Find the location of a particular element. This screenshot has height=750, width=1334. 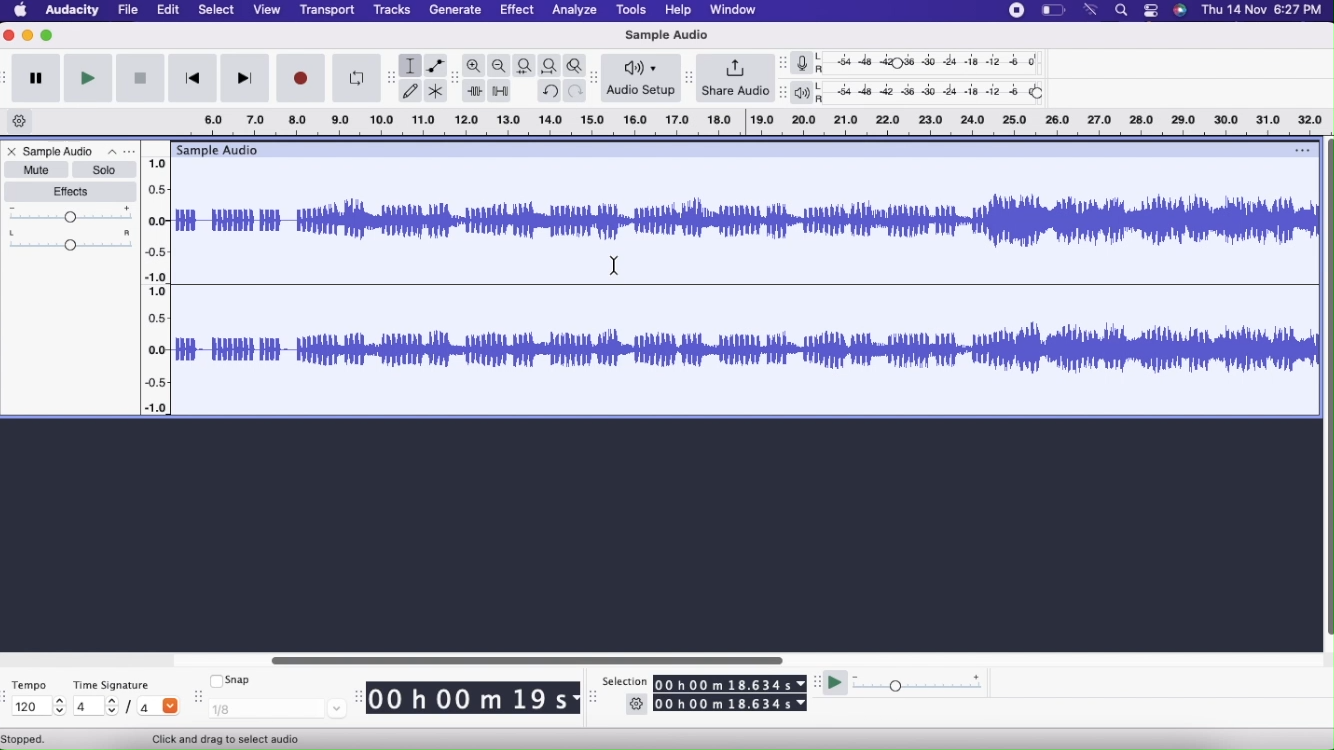

Home is located at coordinates (21, 10).